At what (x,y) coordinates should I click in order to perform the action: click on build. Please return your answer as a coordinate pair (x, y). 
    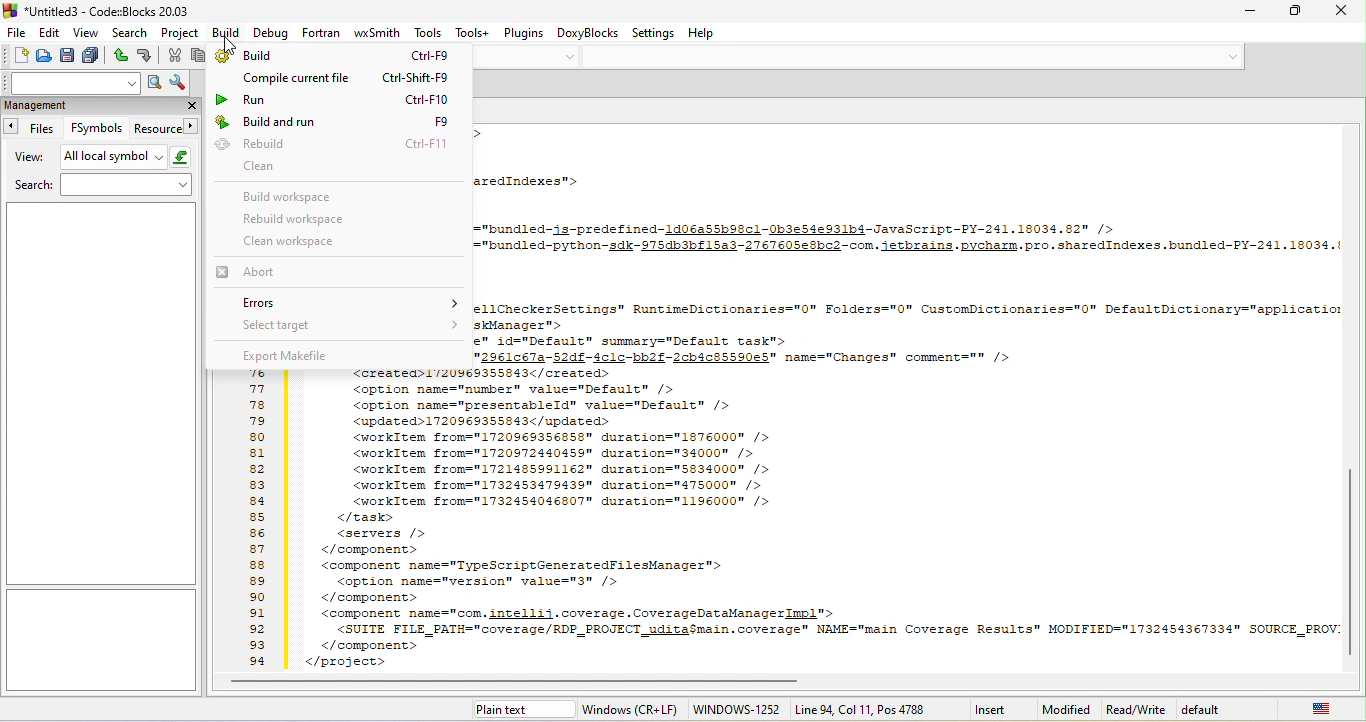
    Looking at the image, I should click on (223, 32).